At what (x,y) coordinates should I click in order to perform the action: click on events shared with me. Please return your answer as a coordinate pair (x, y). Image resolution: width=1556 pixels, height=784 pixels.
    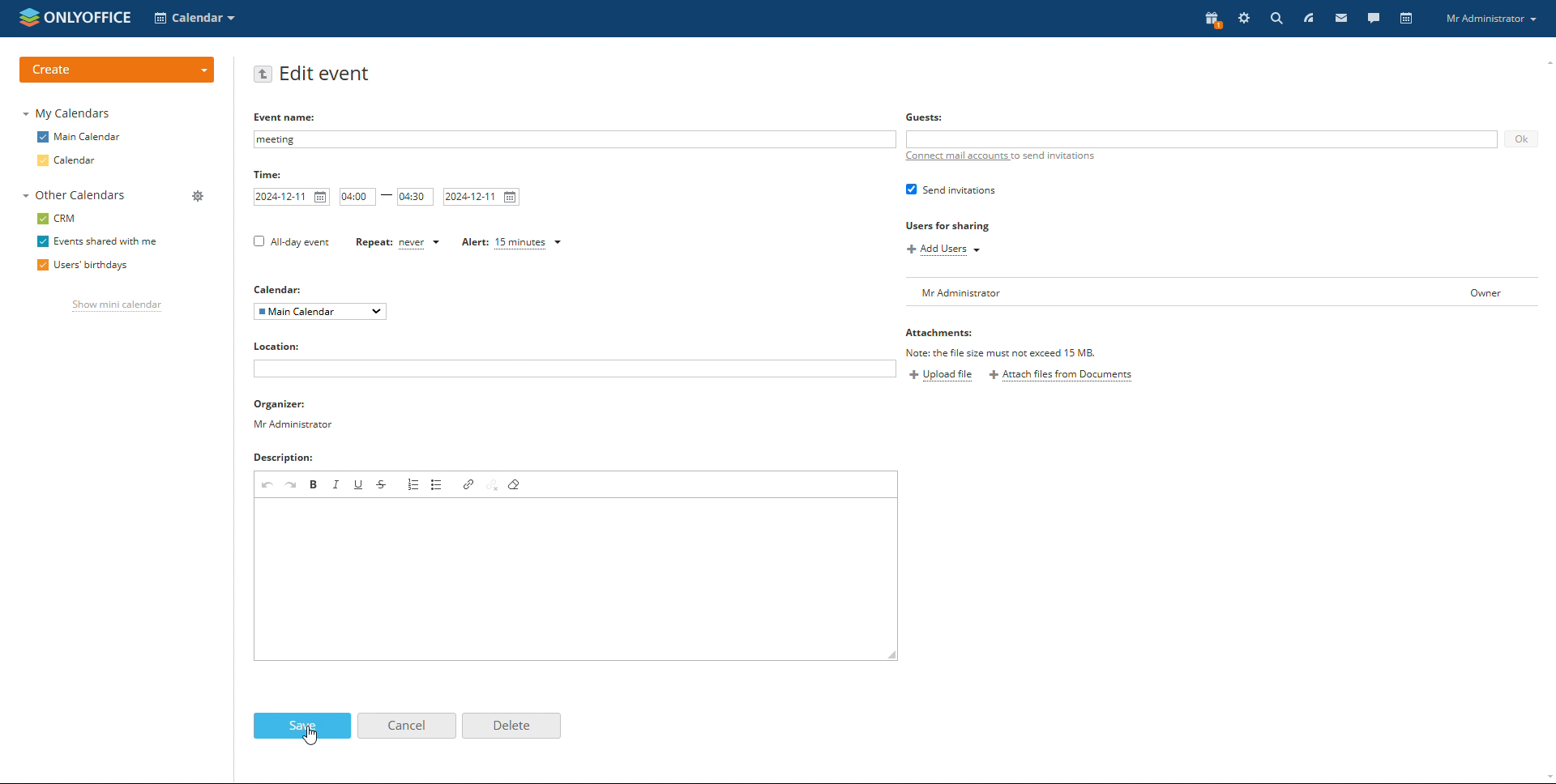
    Looking at the image, I should click on (100, 241).